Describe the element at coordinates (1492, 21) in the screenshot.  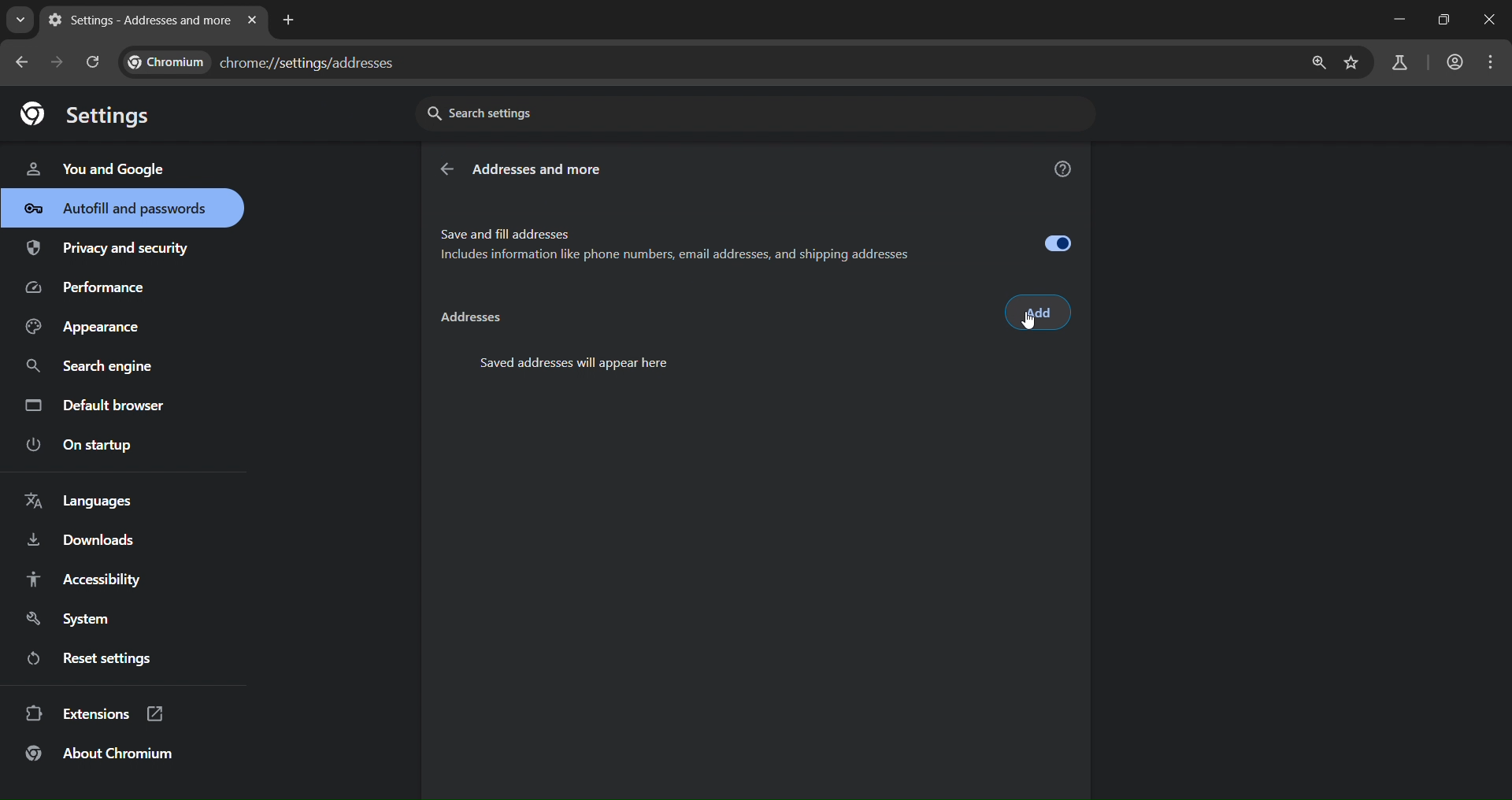
I see `close` at that location.